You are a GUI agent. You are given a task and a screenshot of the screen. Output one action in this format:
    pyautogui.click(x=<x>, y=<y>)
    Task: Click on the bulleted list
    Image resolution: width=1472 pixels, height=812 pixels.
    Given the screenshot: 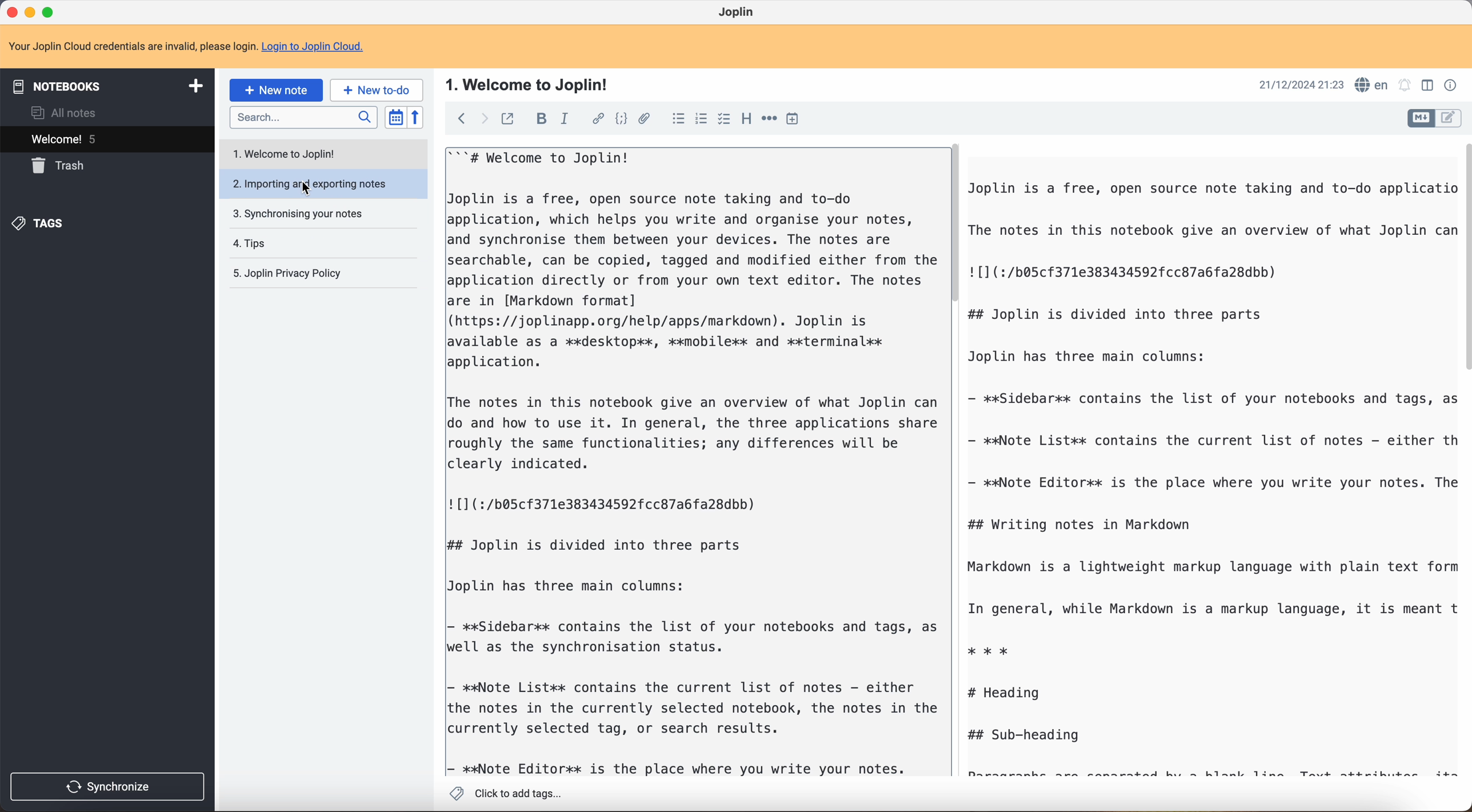 What is the action you would take?
    pyautogui.click(x=675, y=120)
    